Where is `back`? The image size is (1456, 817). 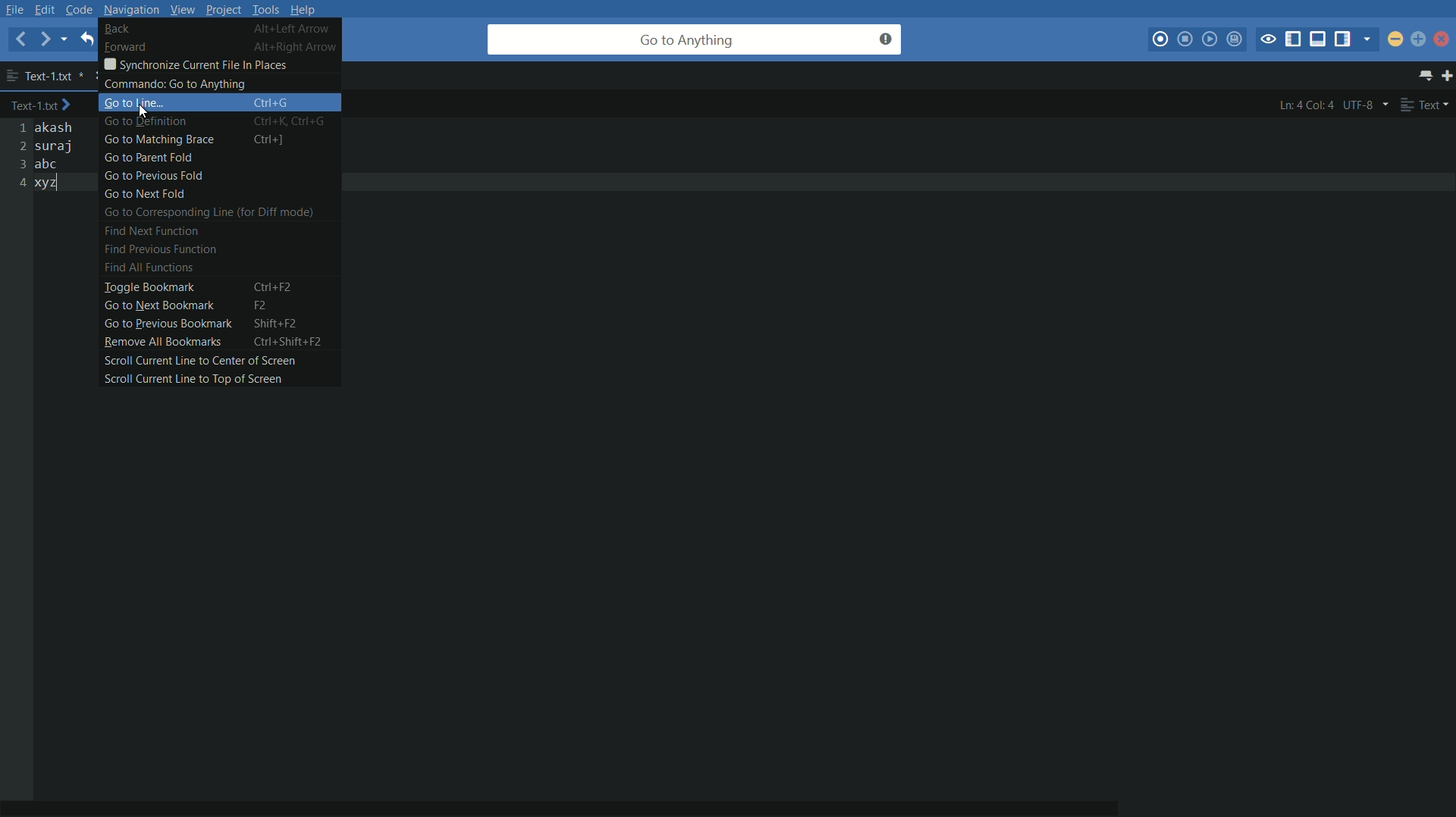
back is located at coordinates (20, 39).